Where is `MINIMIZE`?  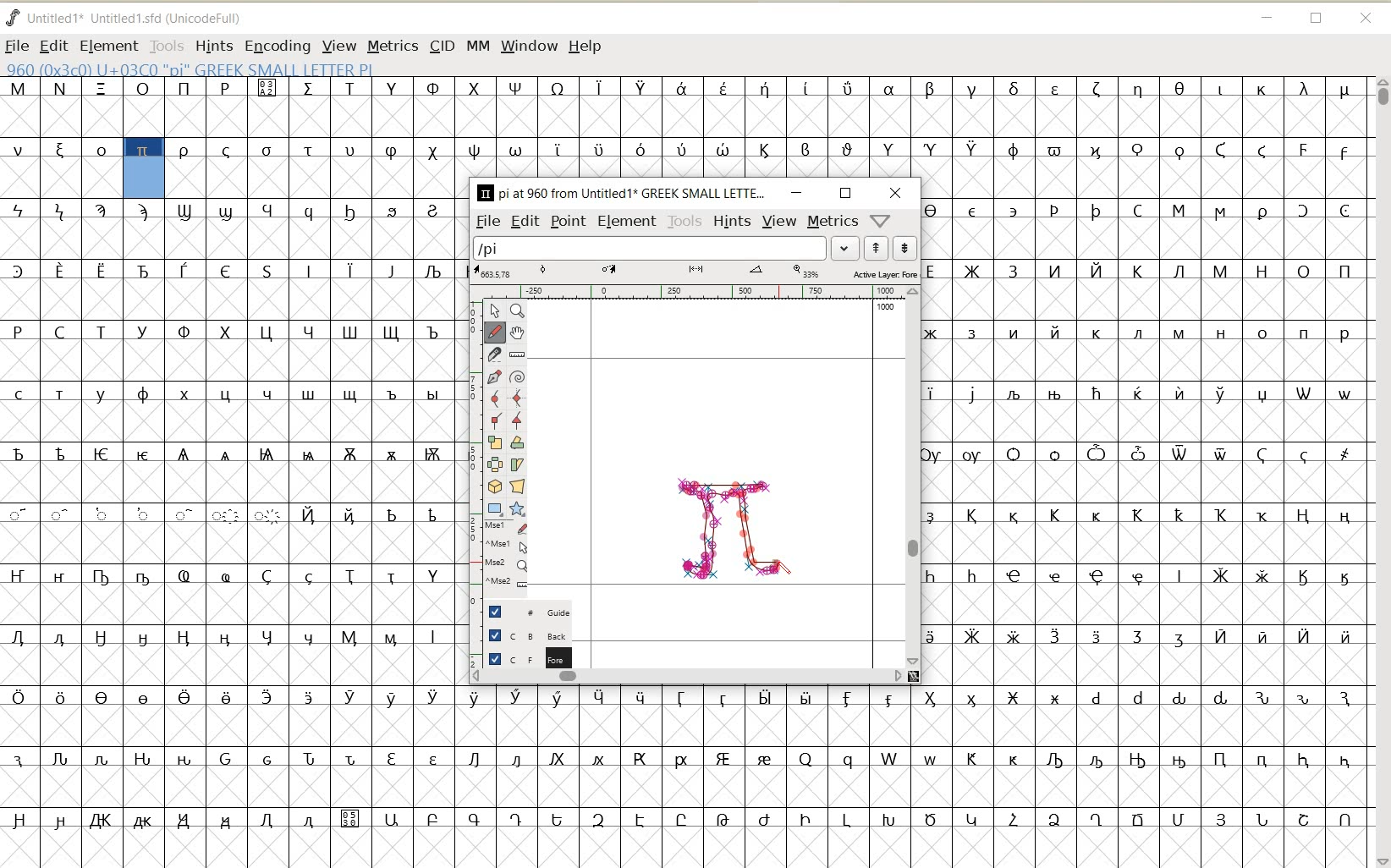 MINIMIZE is located at coordinates (1267, 18).